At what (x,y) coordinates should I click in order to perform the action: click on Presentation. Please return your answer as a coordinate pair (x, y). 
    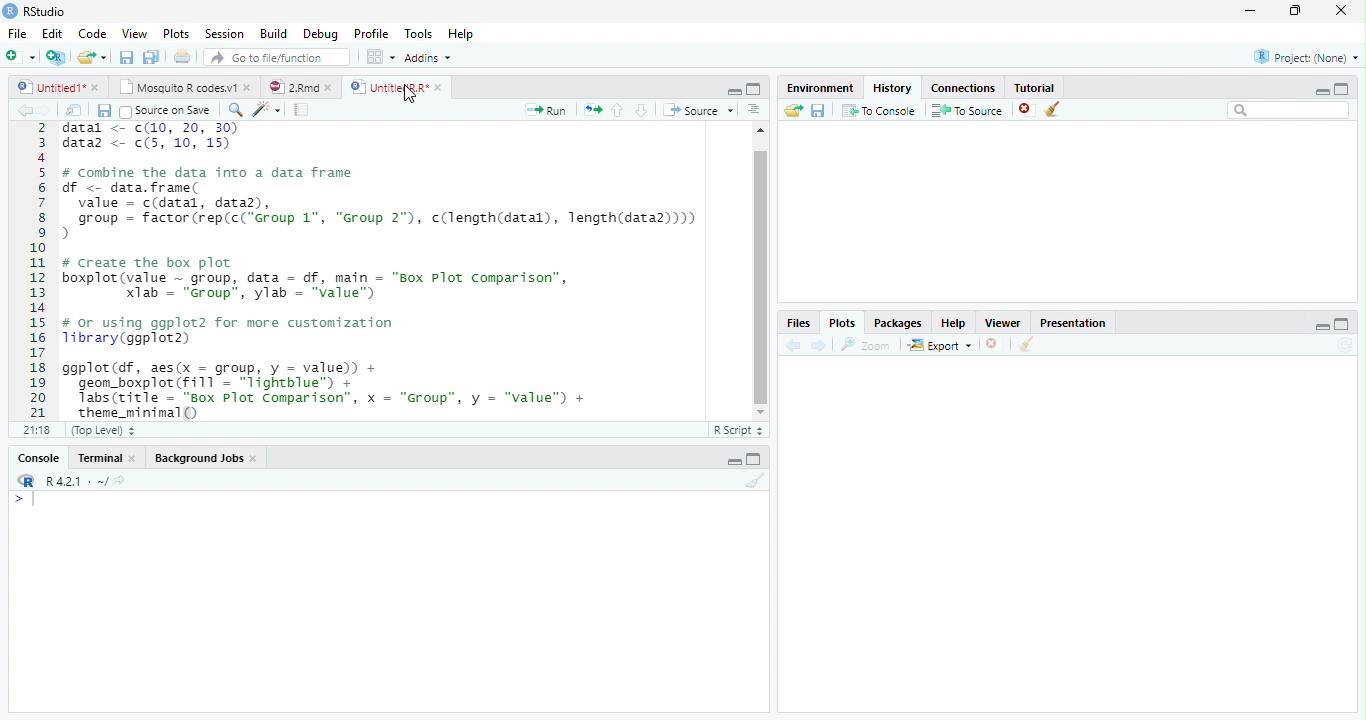
    Looking at the image, I should click on (1072, 323).